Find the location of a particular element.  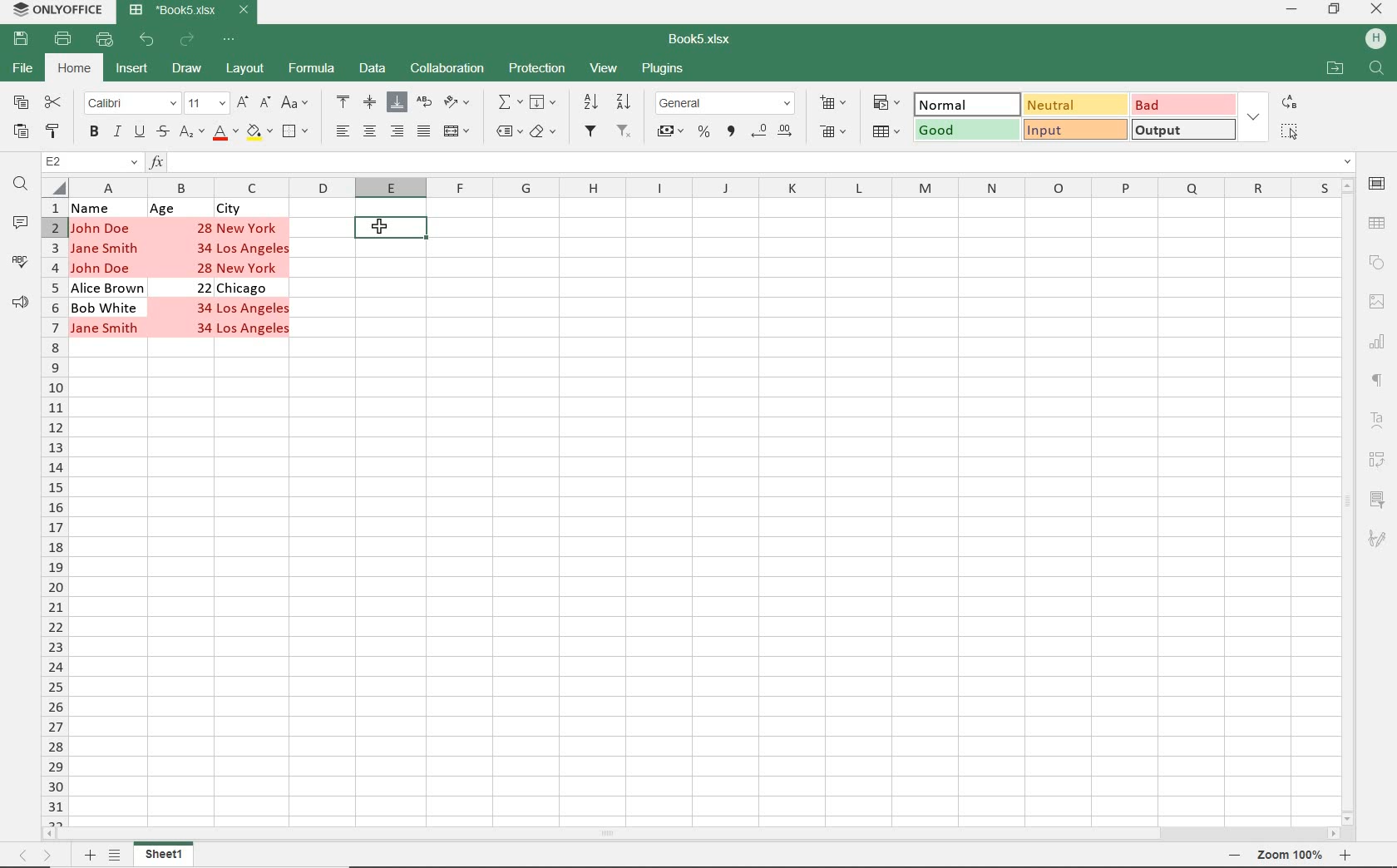

SUBSCRIPT/SUPERSCRIPT is located at coordinates (191, 134).